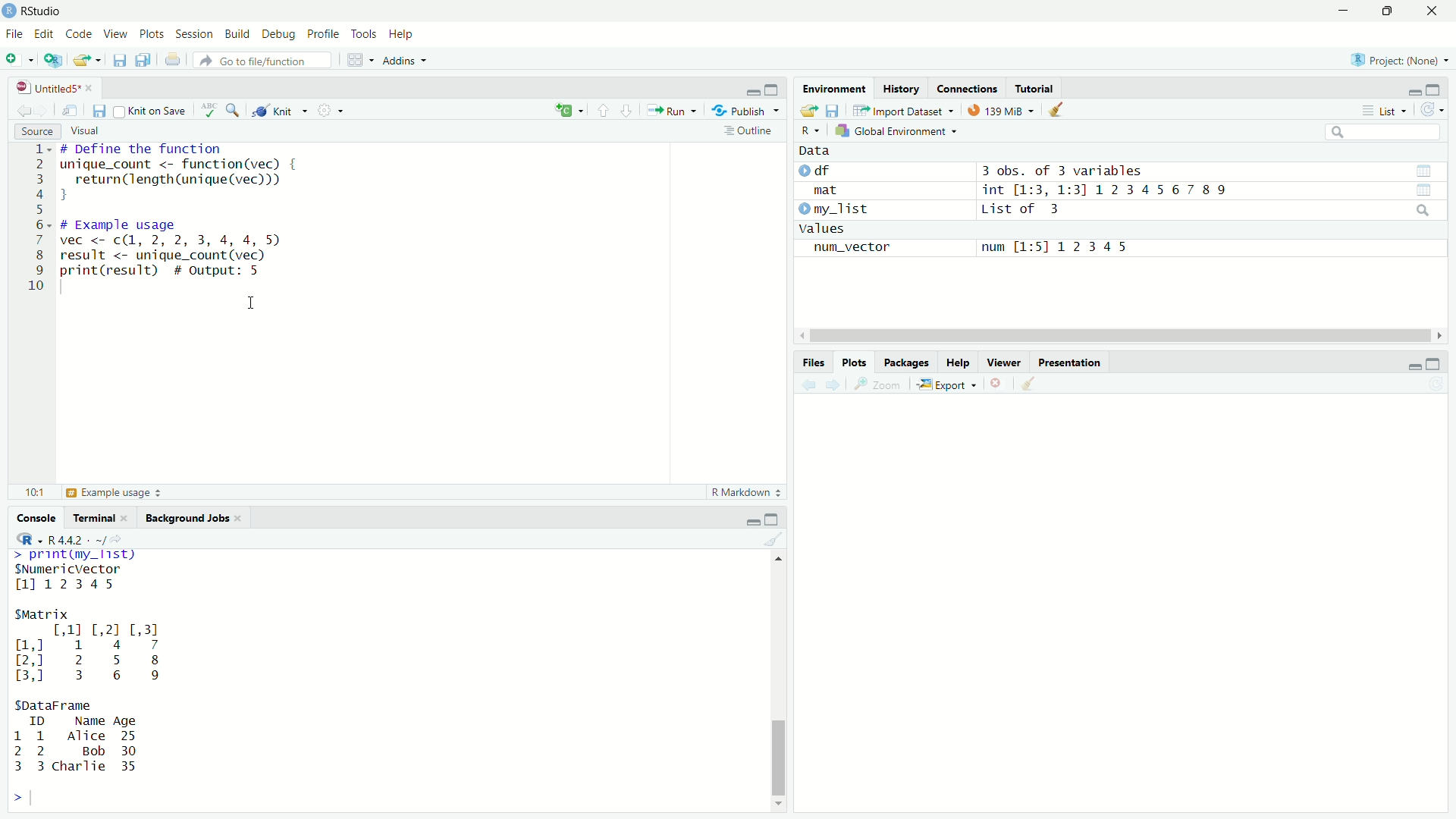 Image resolution: width=1456 pixels, height=819 pixels. I want to click on Plots, so click(152, 34).